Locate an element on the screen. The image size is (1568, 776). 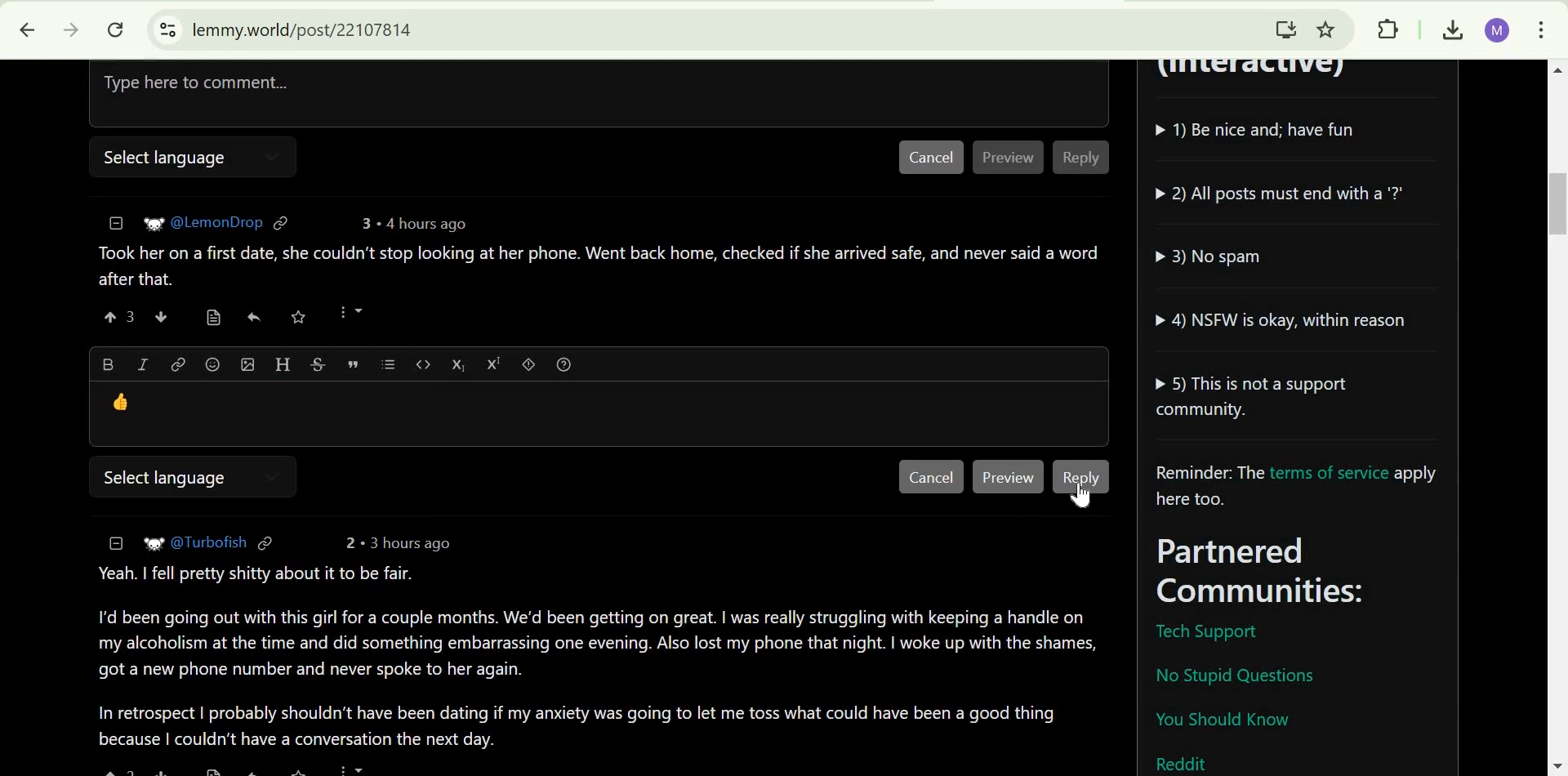
Emoji is located at coordinates (213, 365).